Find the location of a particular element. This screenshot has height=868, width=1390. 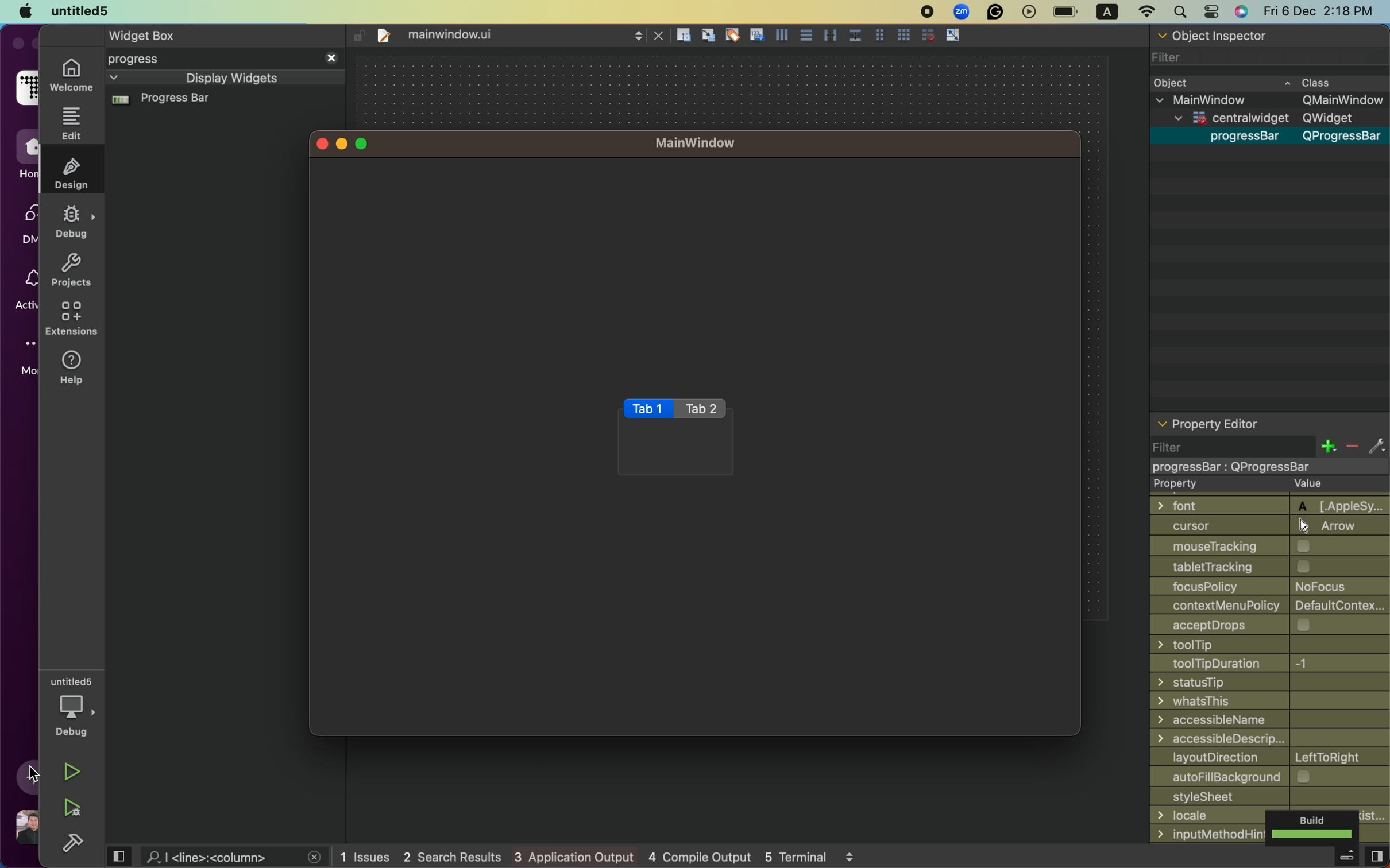

object inspector is located at coordinates (1270, 35).